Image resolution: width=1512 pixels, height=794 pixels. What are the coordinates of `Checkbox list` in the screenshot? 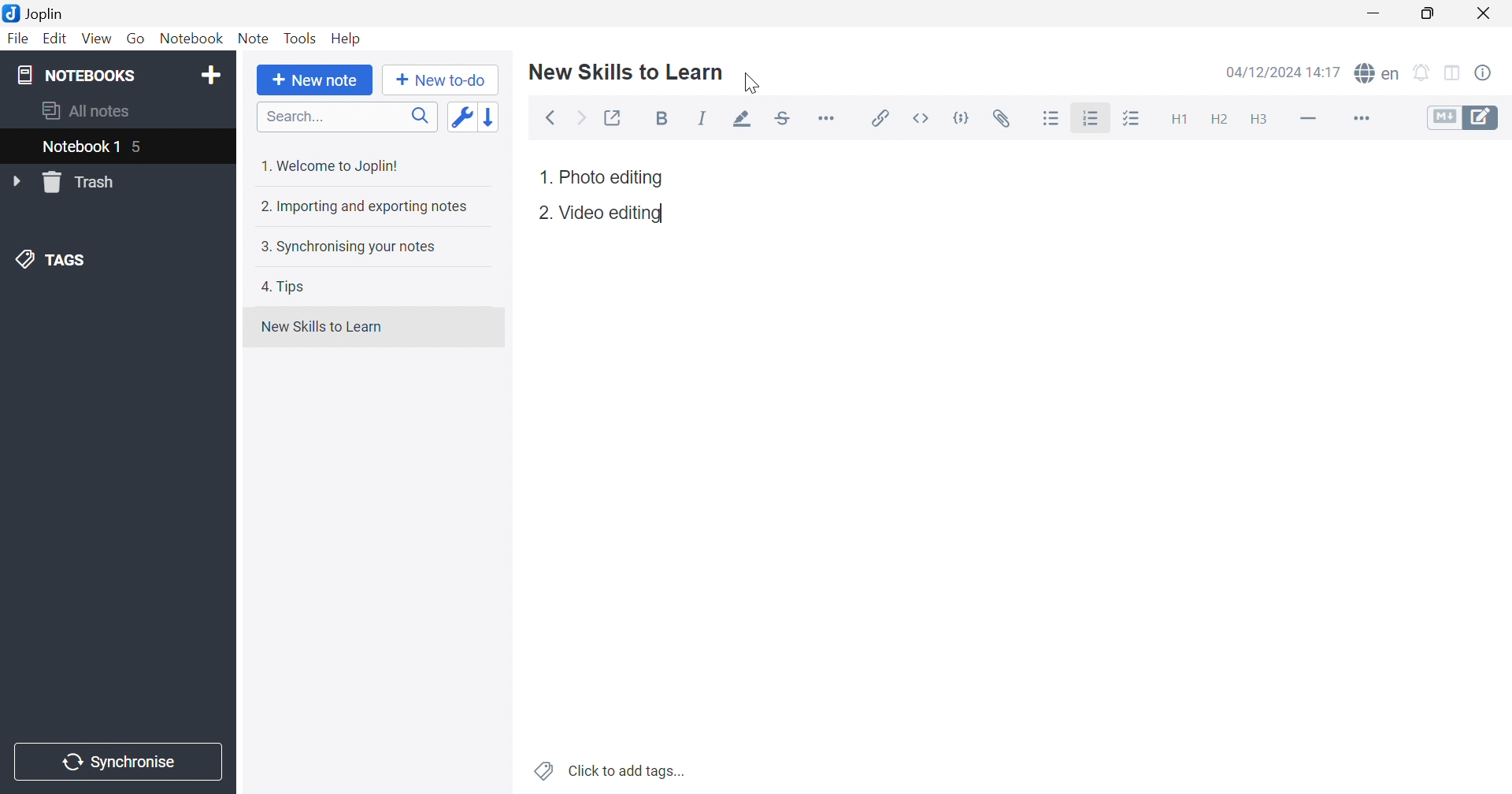 It's located at (1130, 120).